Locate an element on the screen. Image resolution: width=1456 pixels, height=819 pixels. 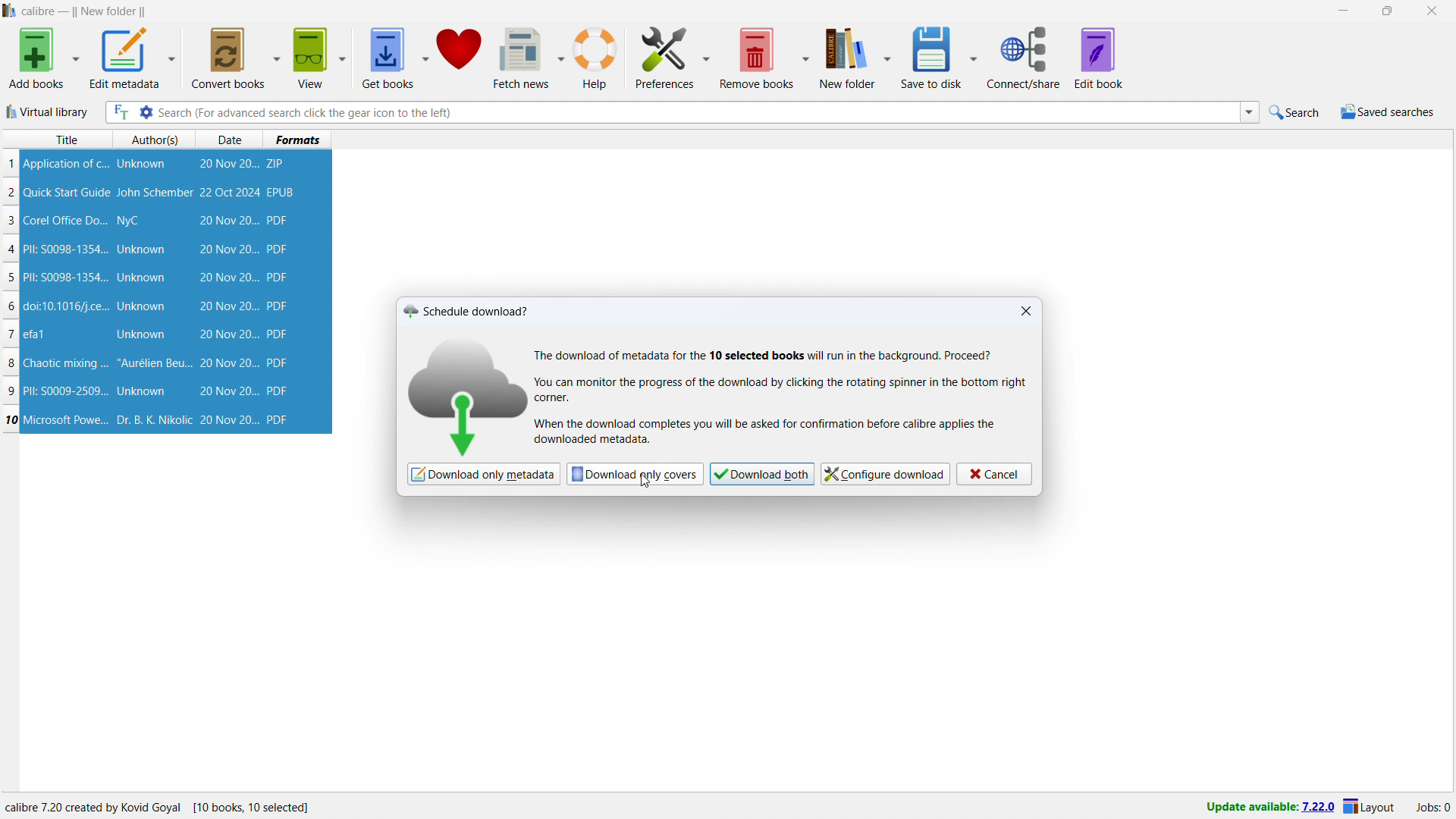
preferences is located at coordinates (664, 57).